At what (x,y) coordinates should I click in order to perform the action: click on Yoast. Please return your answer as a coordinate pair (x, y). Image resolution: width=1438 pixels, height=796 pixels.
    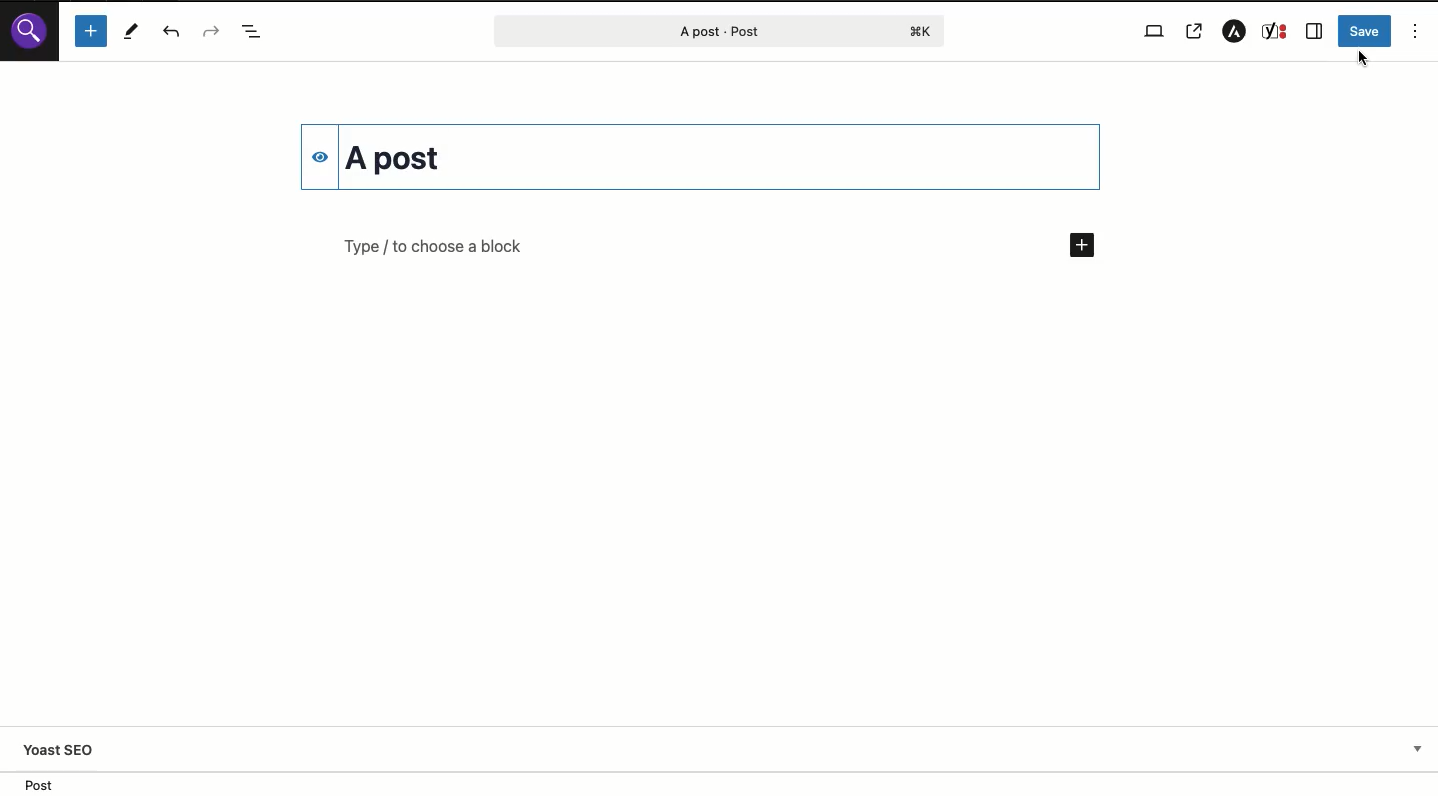
    Looking at the image, I should click on (1276, 32).